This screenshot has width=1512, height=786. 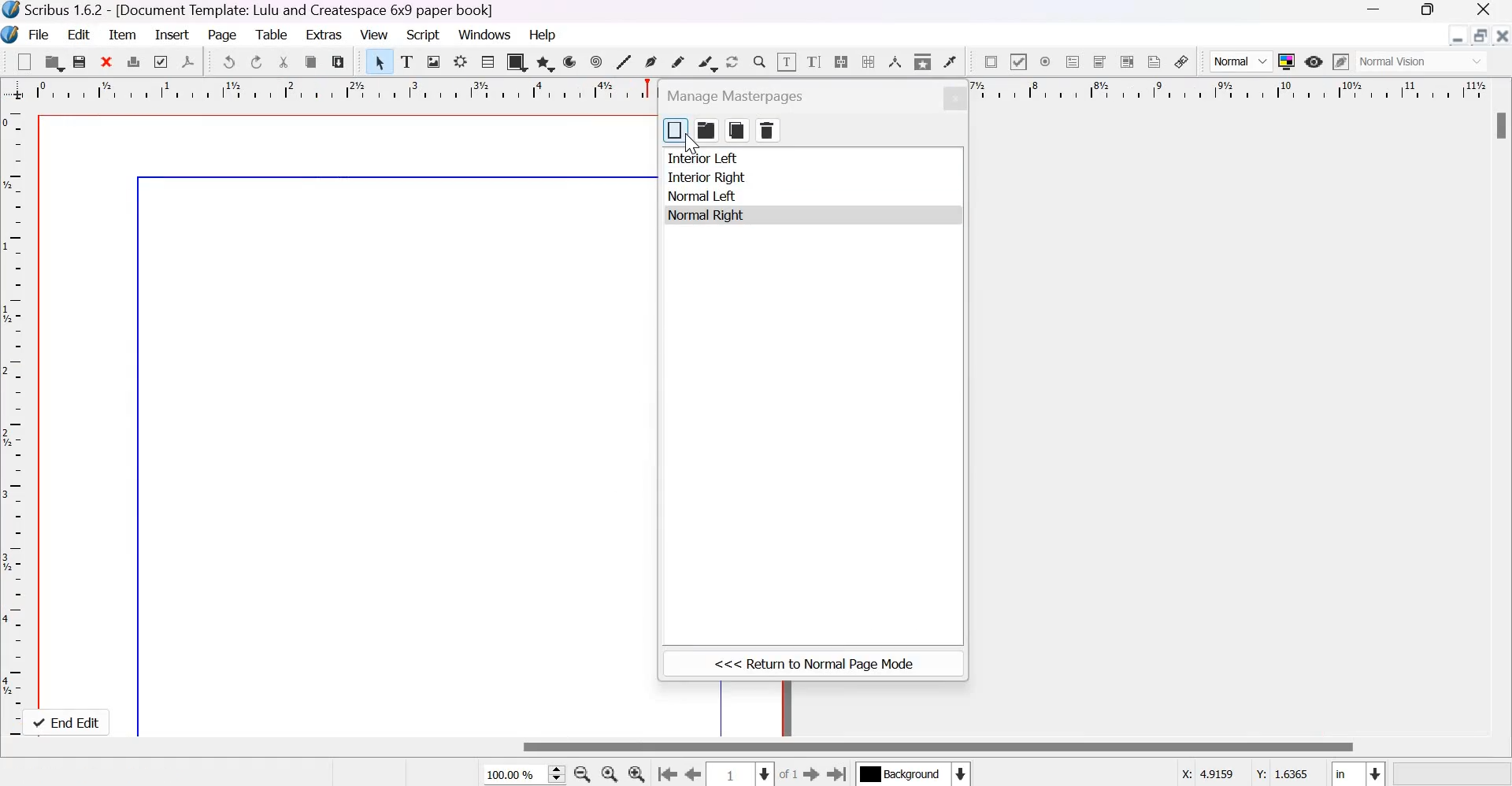 I want to click on X coordinates, so click(x=1209, y=773).